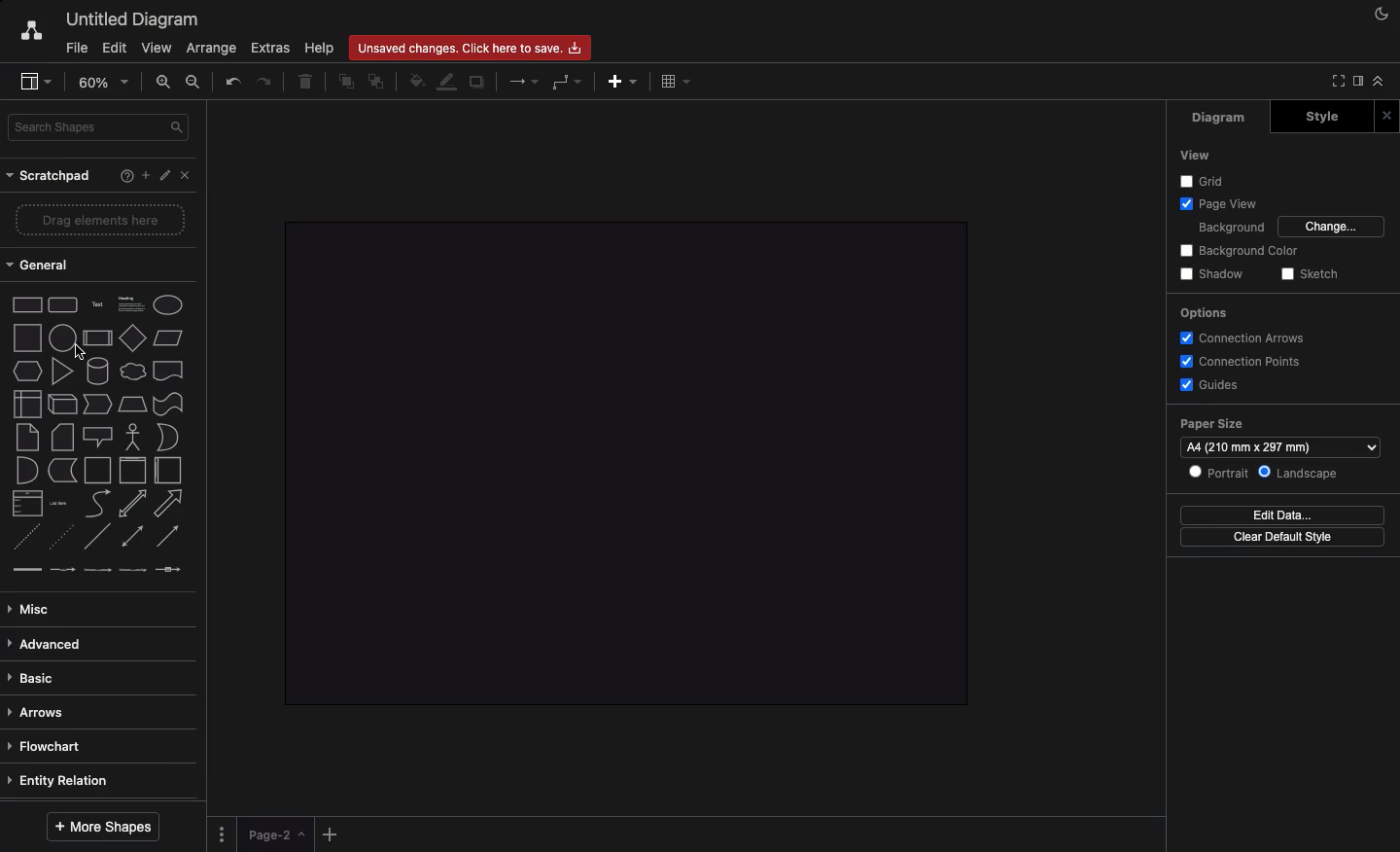 Image resolution: width=1400 pixels, height=852 pixels. What do you see at coordinates (52, 746) in the screenshot?
I see `Flowchart` at bounding box center [52, 746].